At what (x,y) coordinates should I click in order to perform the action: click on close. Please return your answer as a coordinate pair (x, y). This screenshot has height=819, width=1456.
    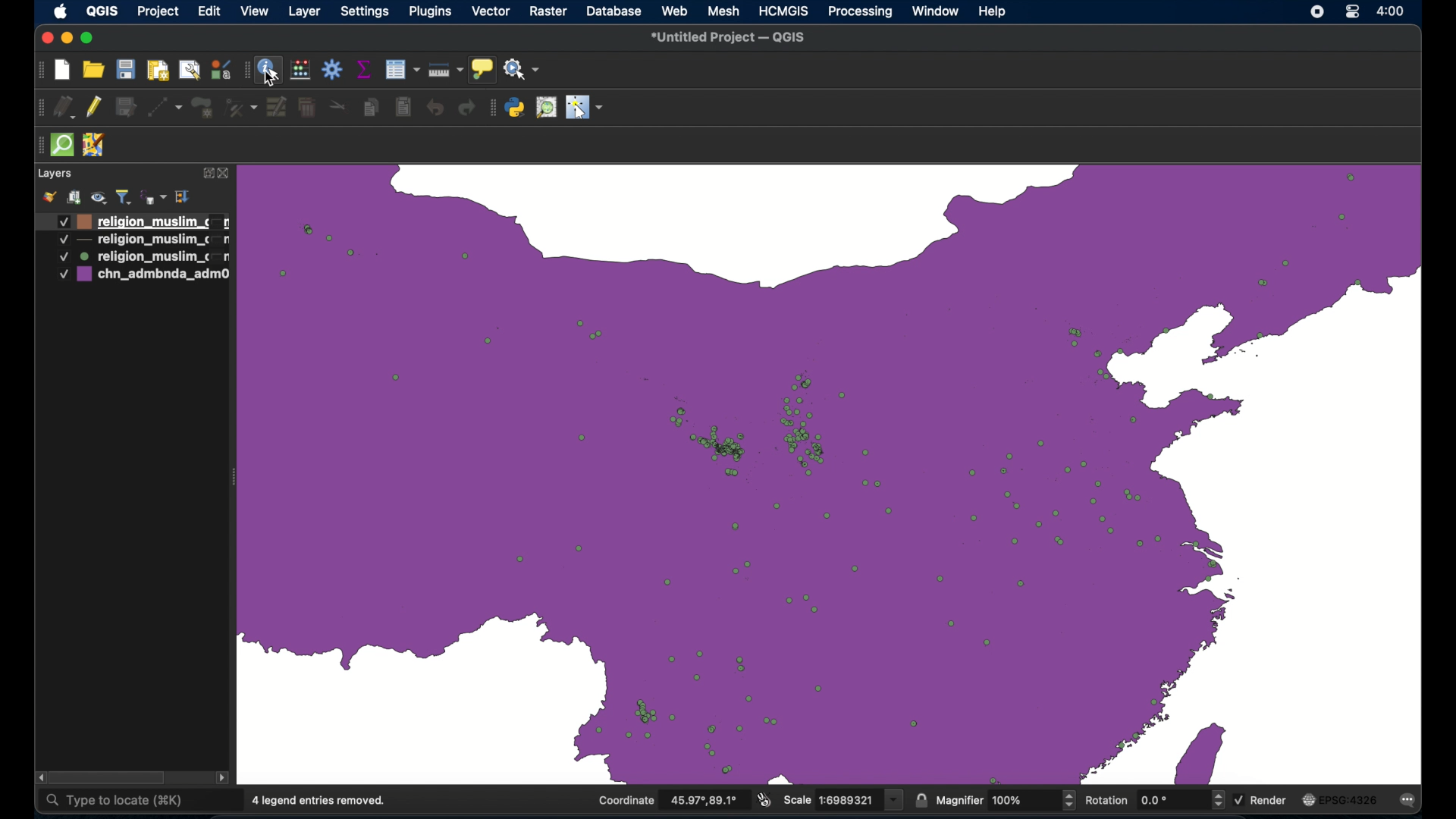
    Looking at the image, I should click on (225, 175).